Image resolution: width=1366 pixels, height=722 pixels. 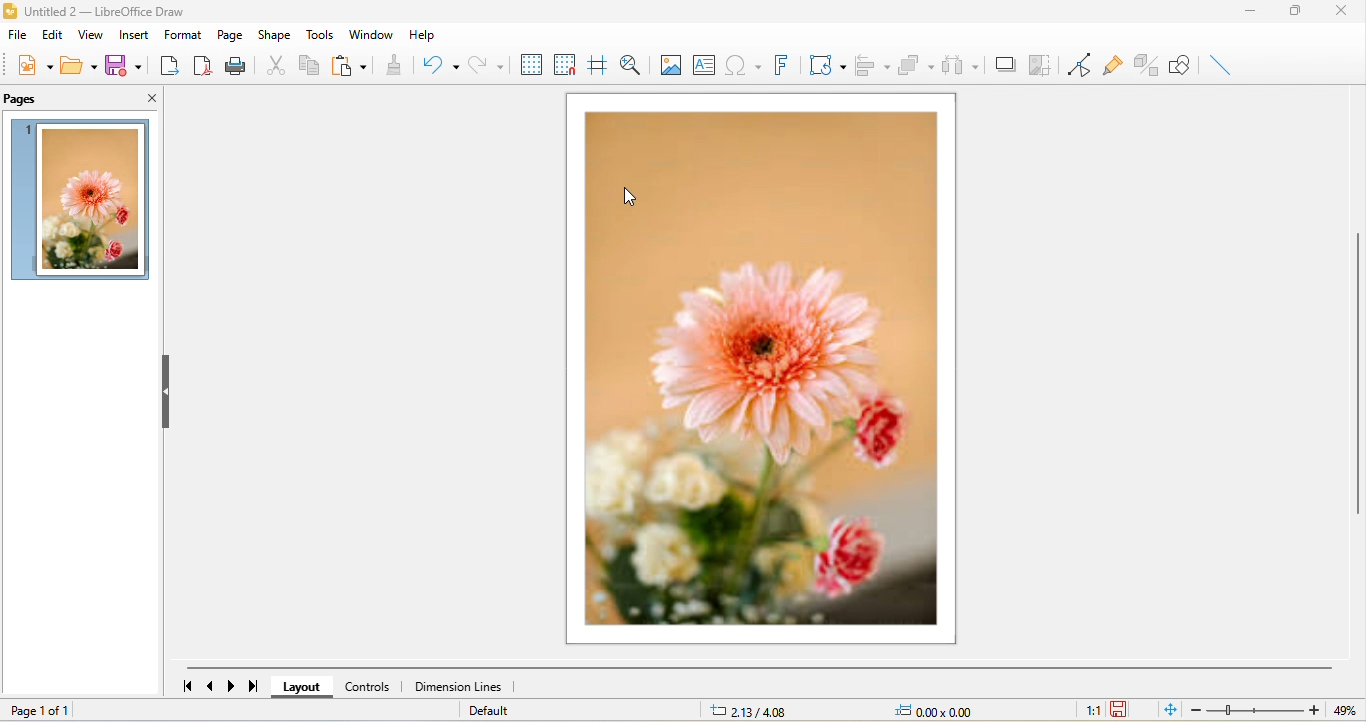 What do you see at coordinates (213, 684) in the screenshot?
I see `previous page` at bounding box center [213, 684].